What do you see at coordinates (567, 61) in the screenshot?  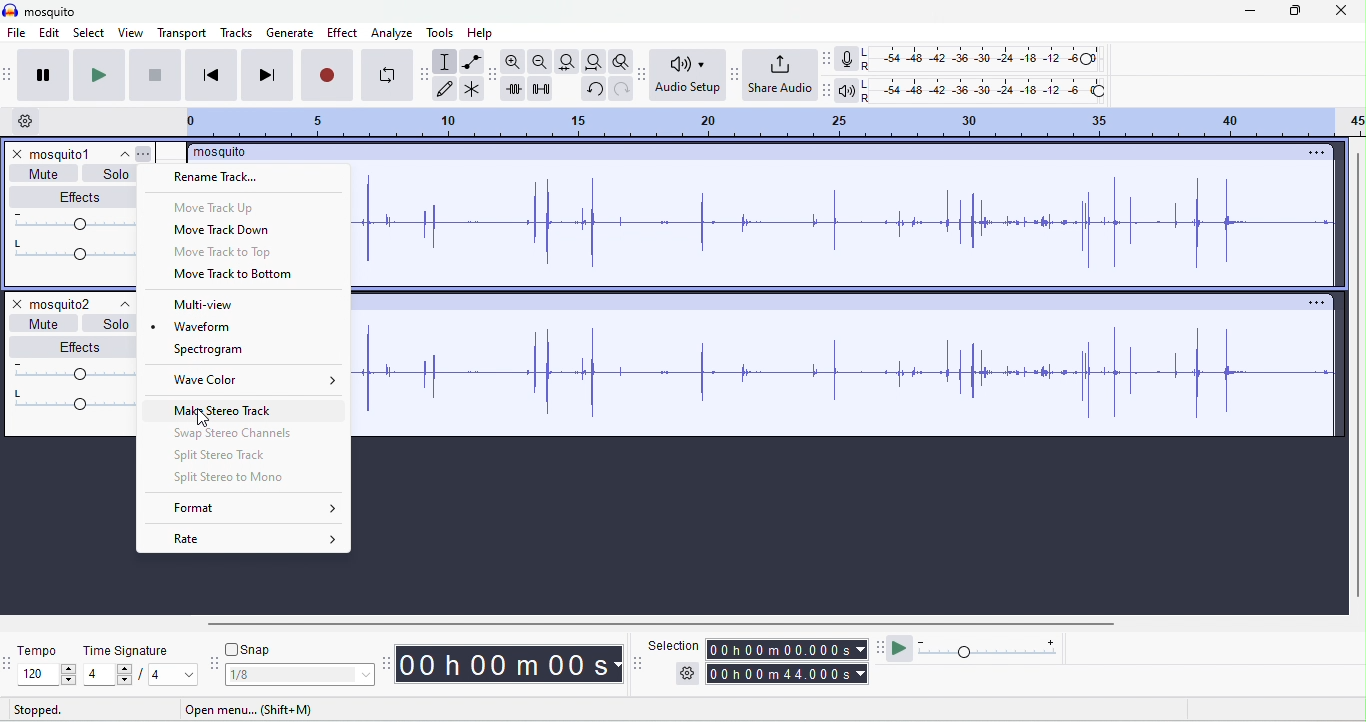 I see `fit to track width` at bounding box center [567, 61].